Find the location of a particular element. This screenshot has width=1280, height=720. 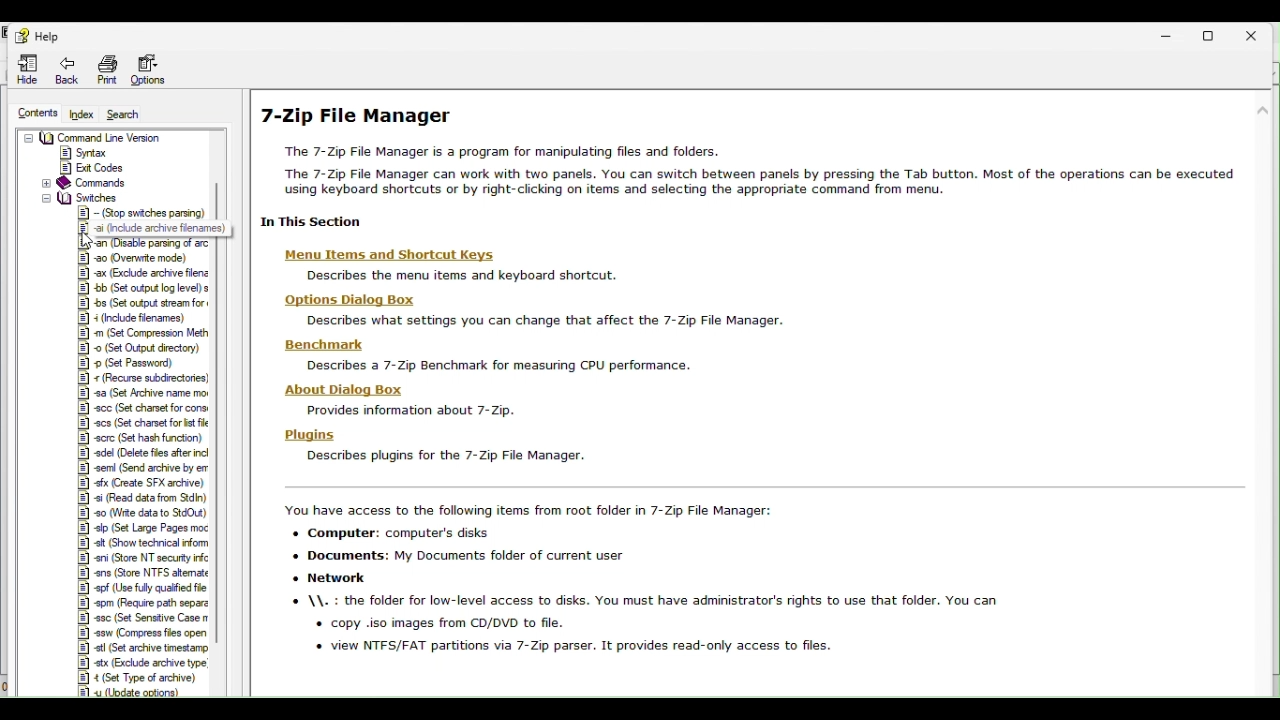

J. 9 (include archive filenames) is located at coordinates (154, 230).